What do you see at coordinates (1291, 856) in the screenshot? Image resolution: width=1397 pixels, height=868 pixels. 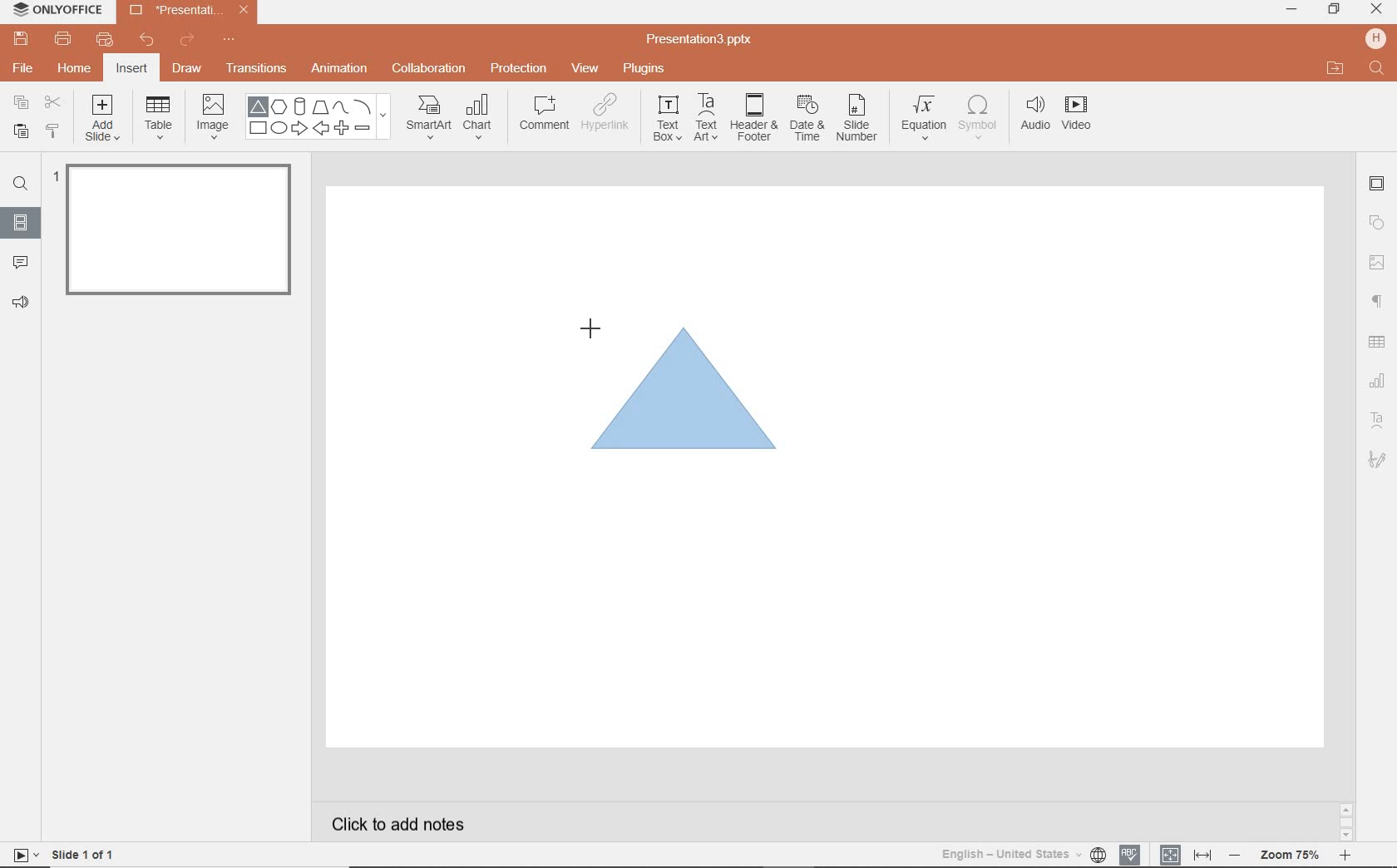 I see `ZOOM level` at bounding box center [1291, 856].